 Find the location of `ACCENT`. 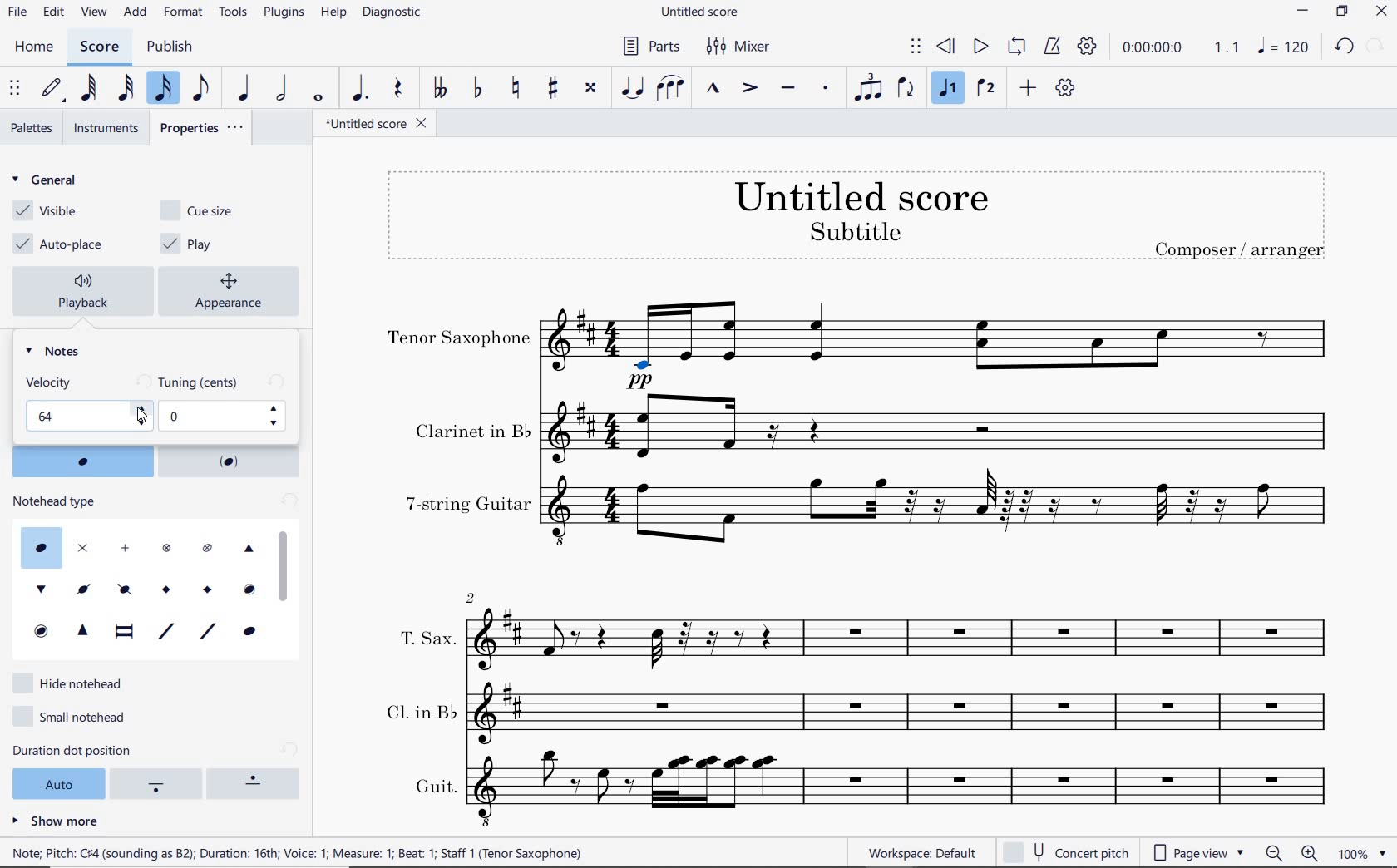

ACCENT is located at coordinates (753, 89).